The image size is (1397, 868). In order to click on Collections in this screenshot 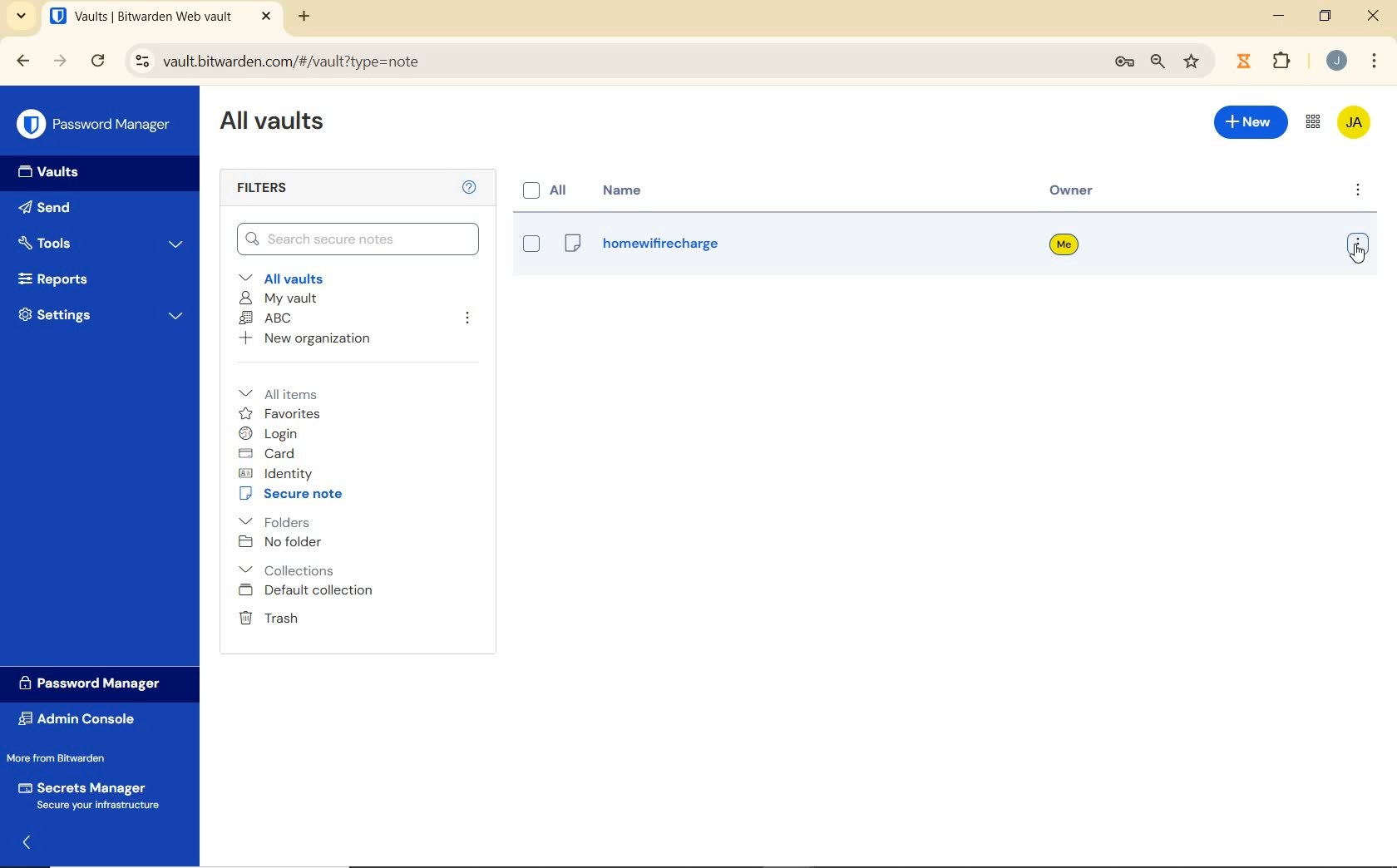, I will do `click(290, 570)`.